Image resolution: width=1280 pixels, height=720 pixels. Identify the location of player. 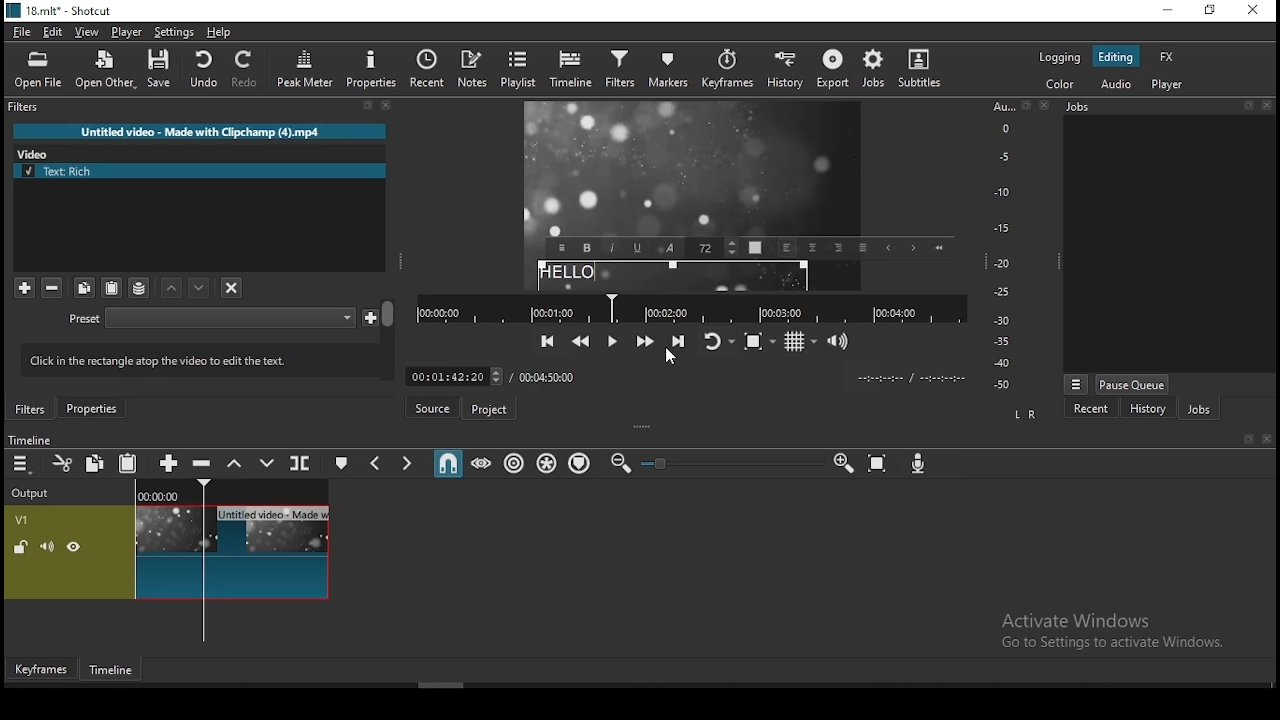
(127, 32).